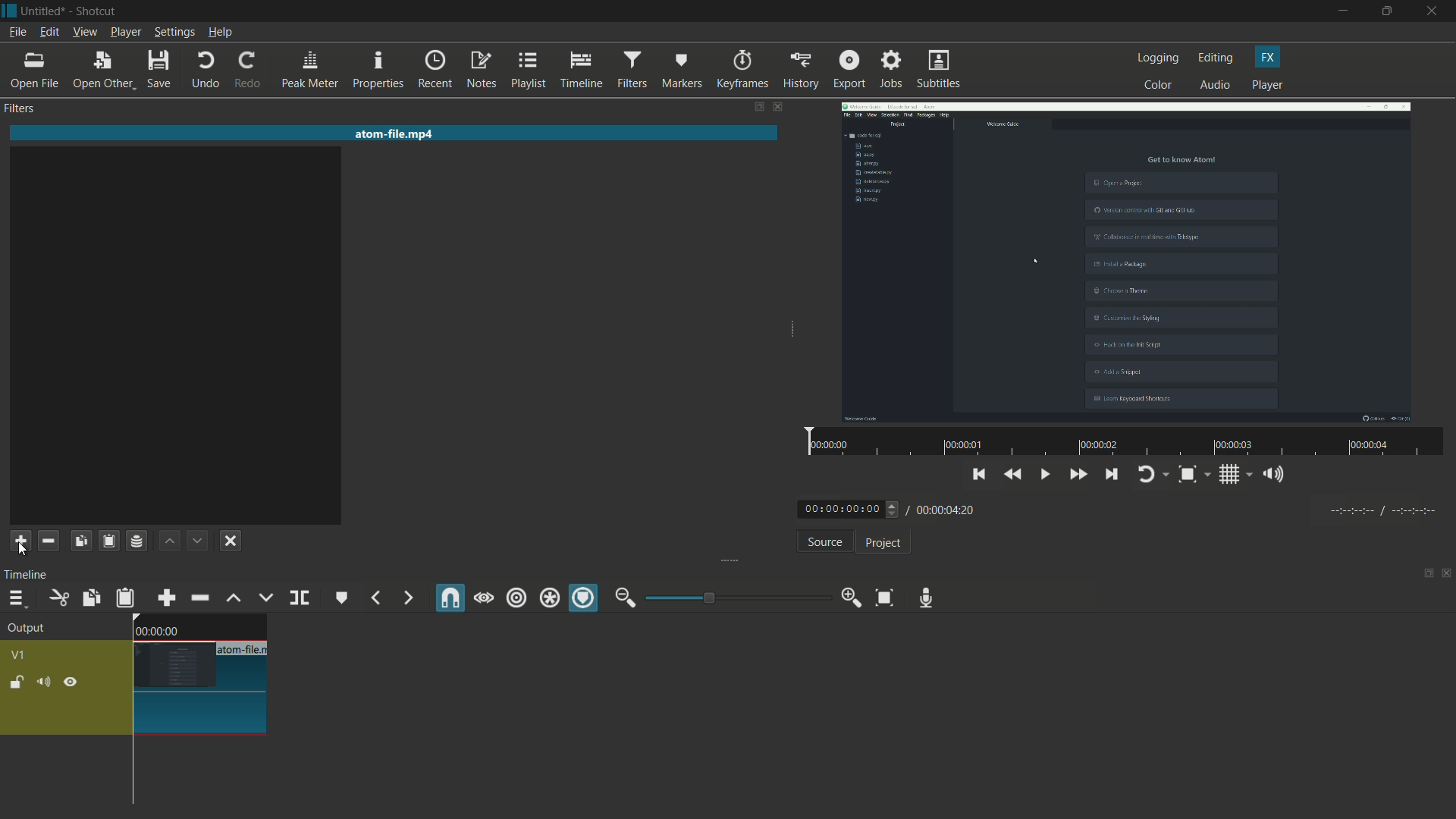  I want to click on deselect the filter, so click(231, 541).